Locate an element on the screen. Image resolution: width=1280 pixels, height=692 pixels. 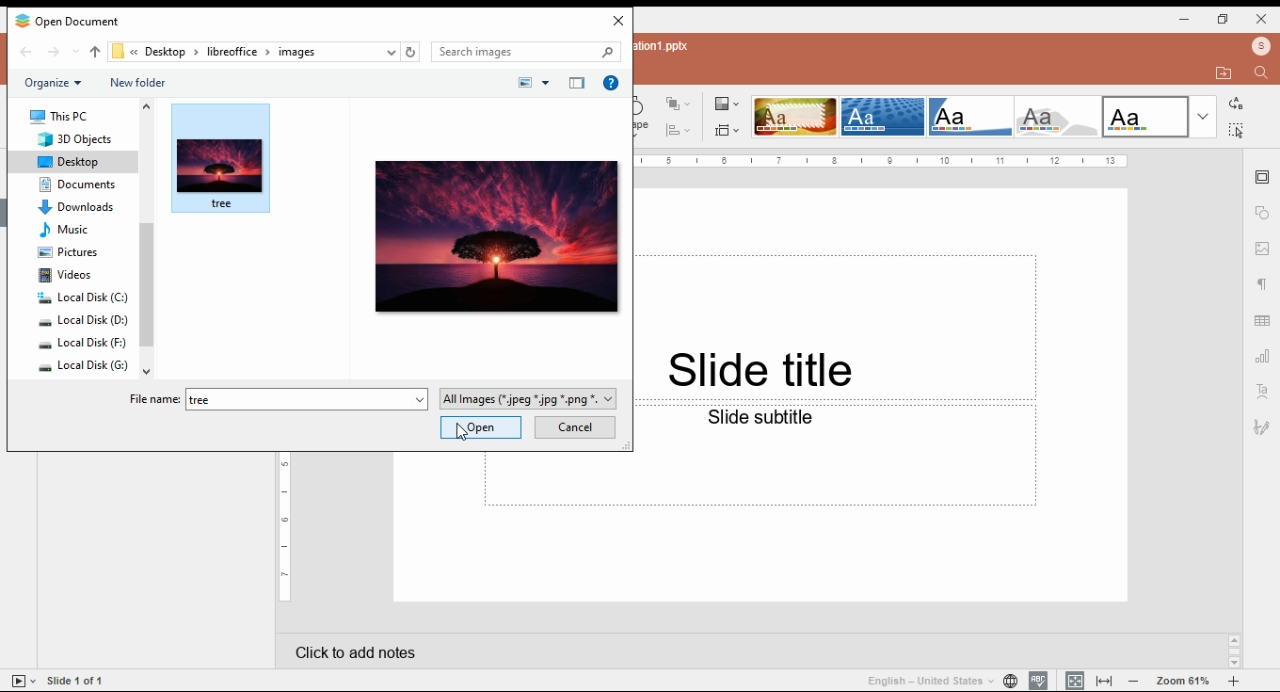
click to add notes is located at coordinates (732, 647).